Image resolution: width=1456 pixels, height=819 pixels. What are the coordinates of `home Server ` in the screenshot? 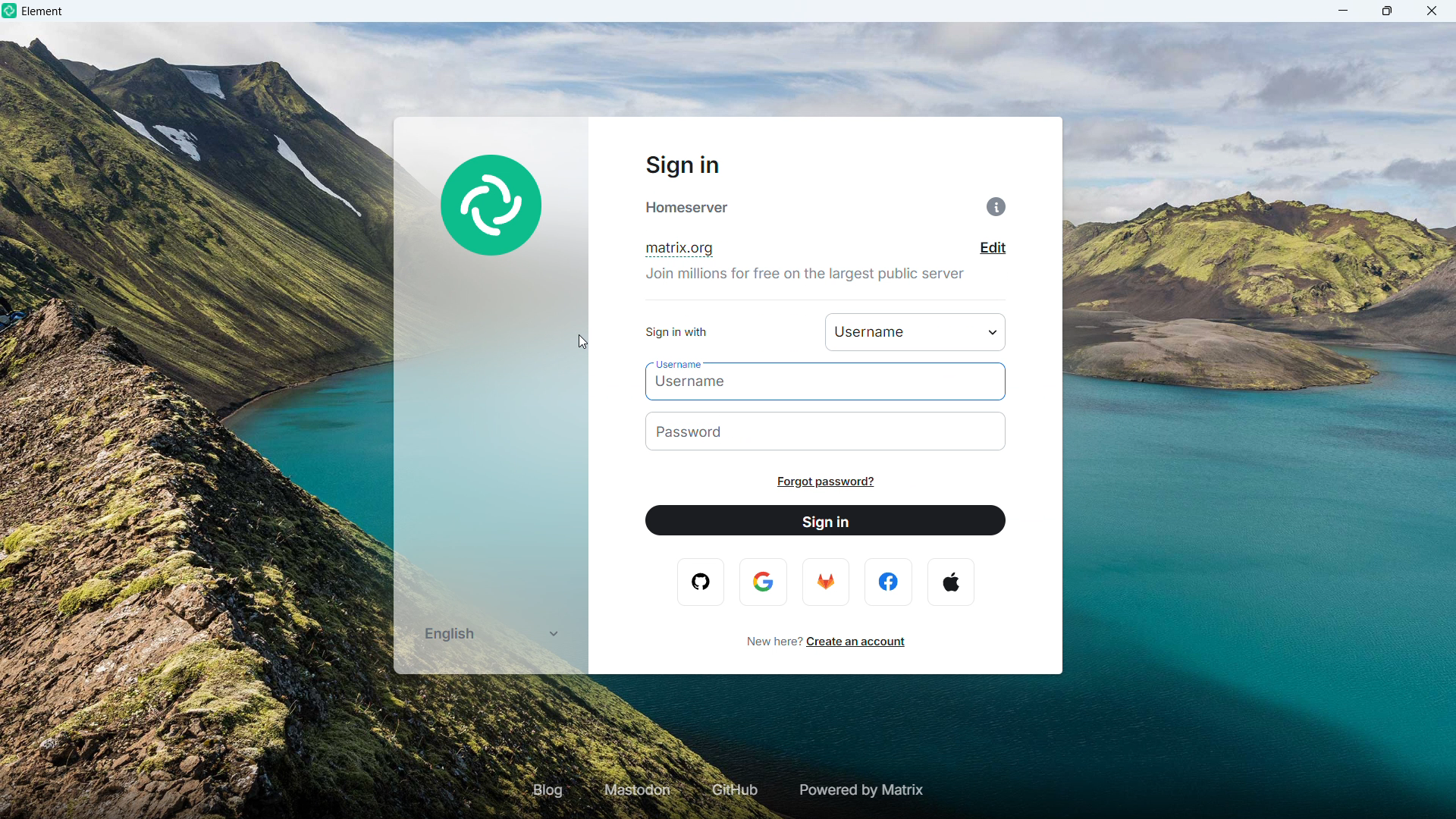 It's located at (689, 208).